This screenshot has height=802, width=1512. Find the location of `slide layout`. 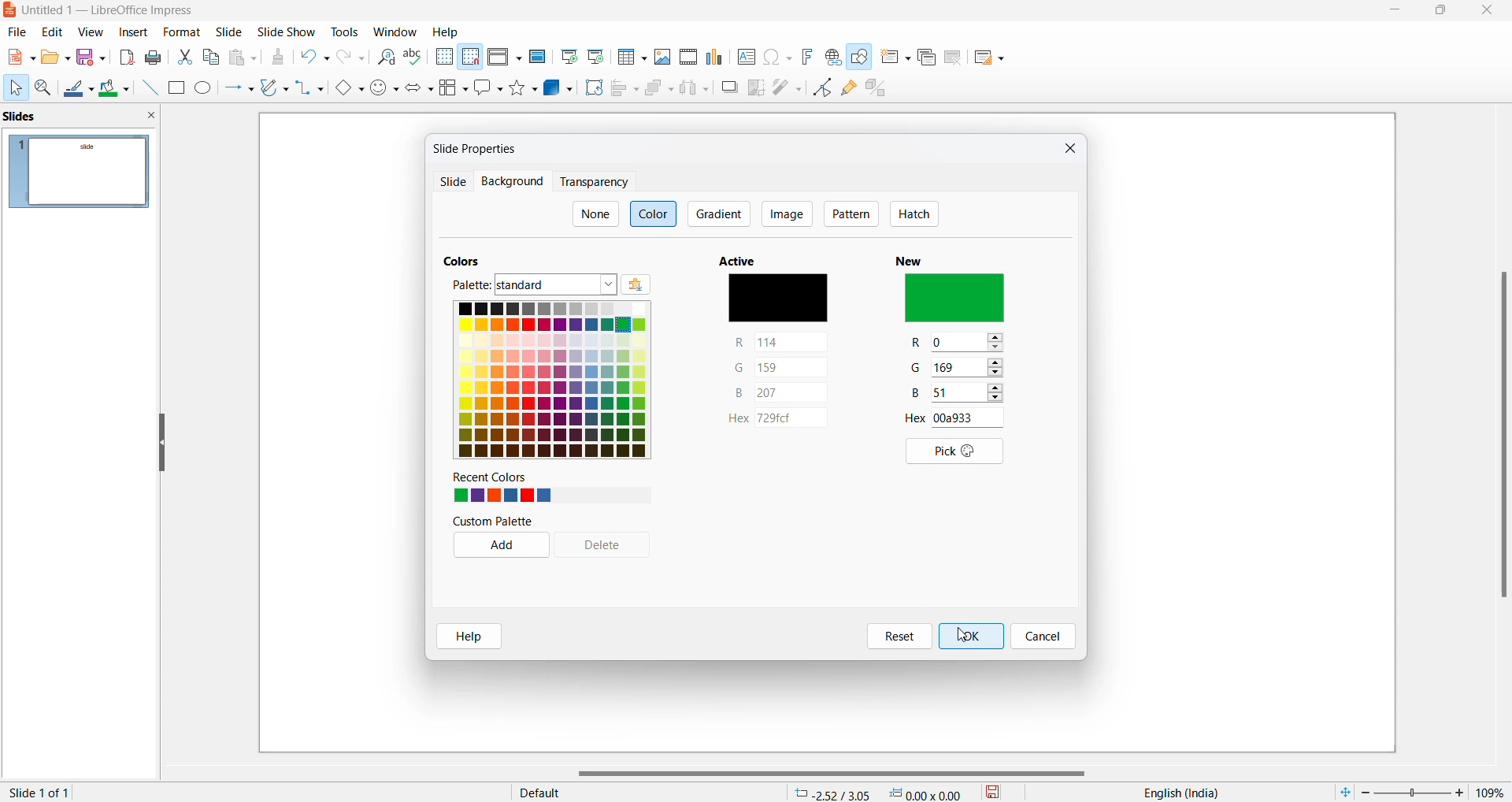

slide layout is located at coordinates (988, 61).